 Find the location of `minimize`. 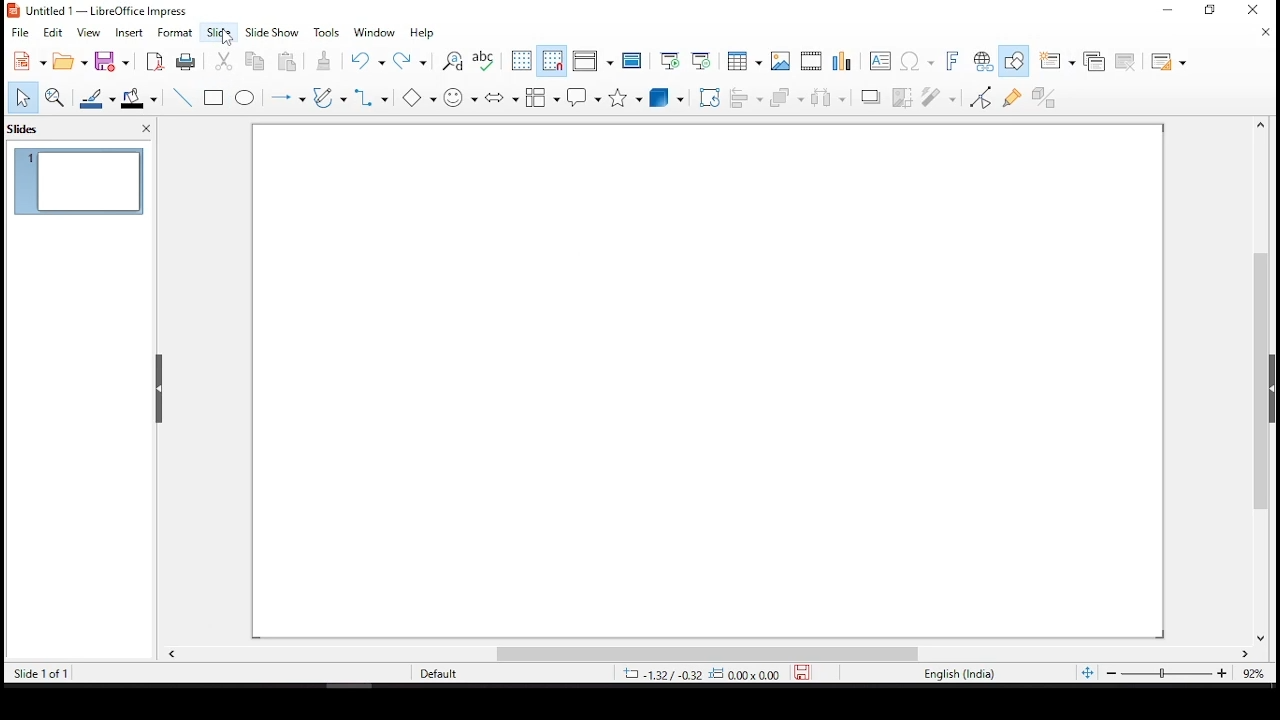

minimize is located at coordinates (1168, 9).